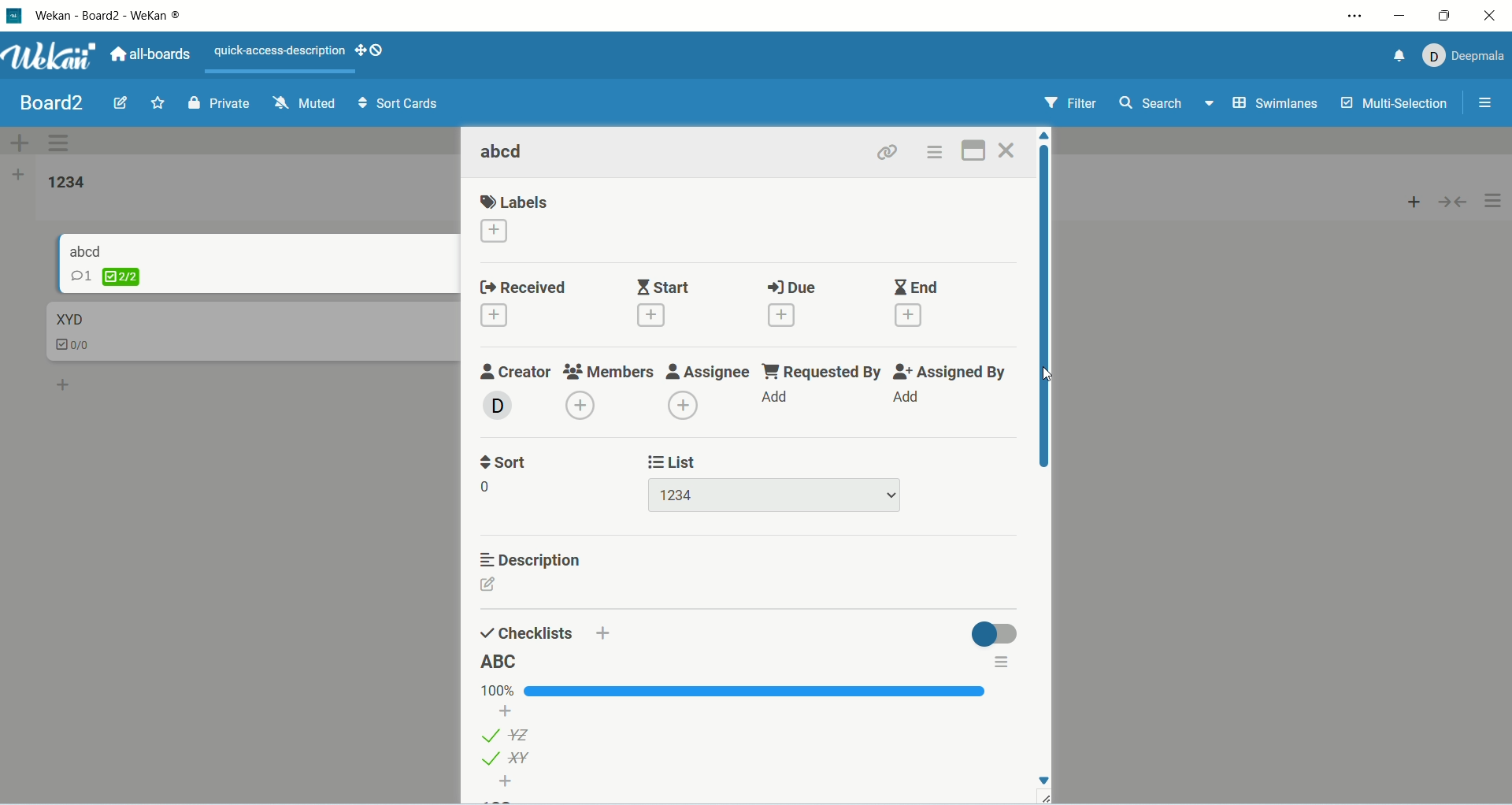 The image size is (1512, 805). What do you see at coordinates (50, 58) in the screenshot?
I see `wekan` at bounding box center [50, 58].